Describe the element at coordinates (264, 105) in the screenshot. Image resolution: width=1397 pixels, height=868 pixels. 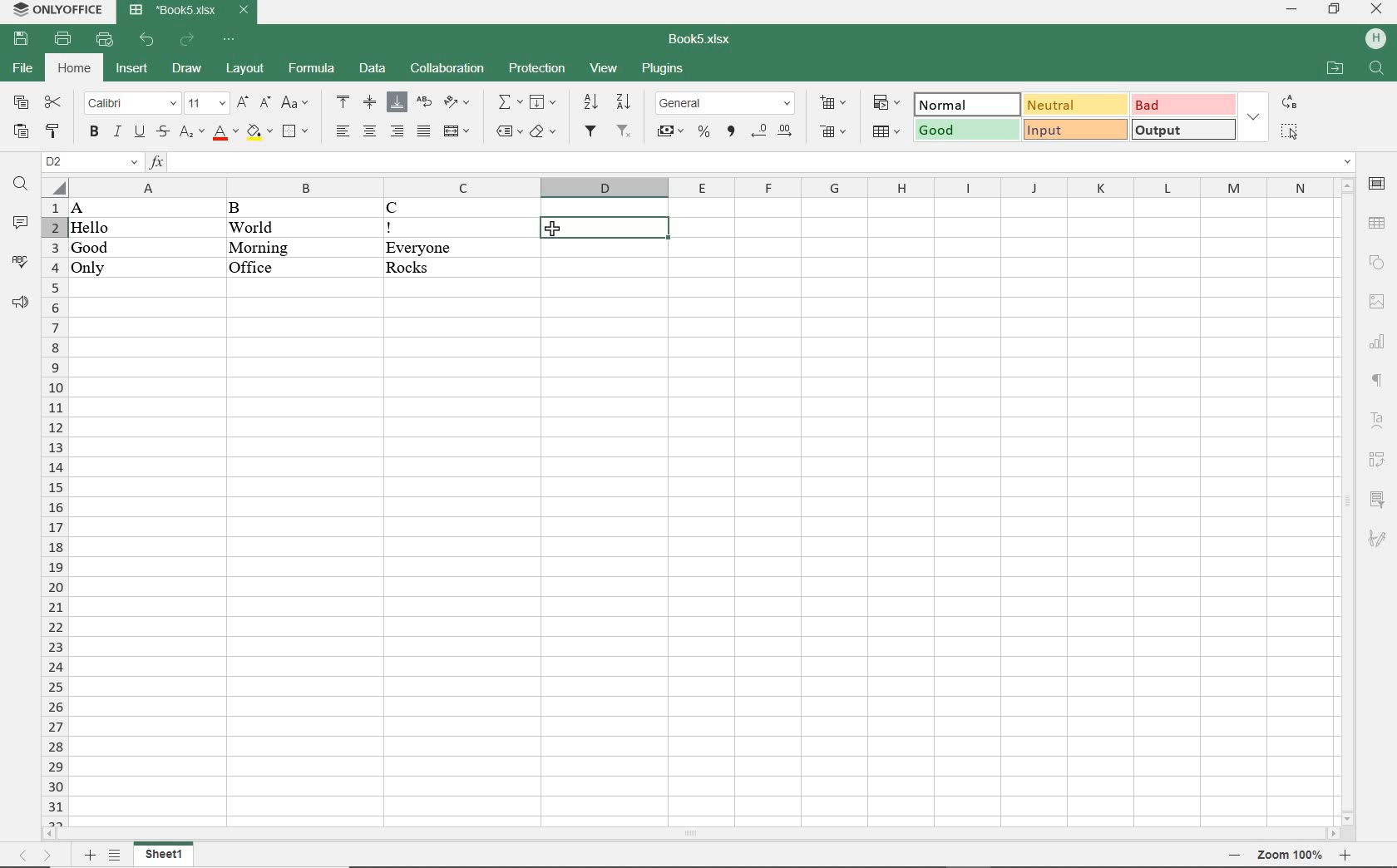
I see `decrement font size` at that location.